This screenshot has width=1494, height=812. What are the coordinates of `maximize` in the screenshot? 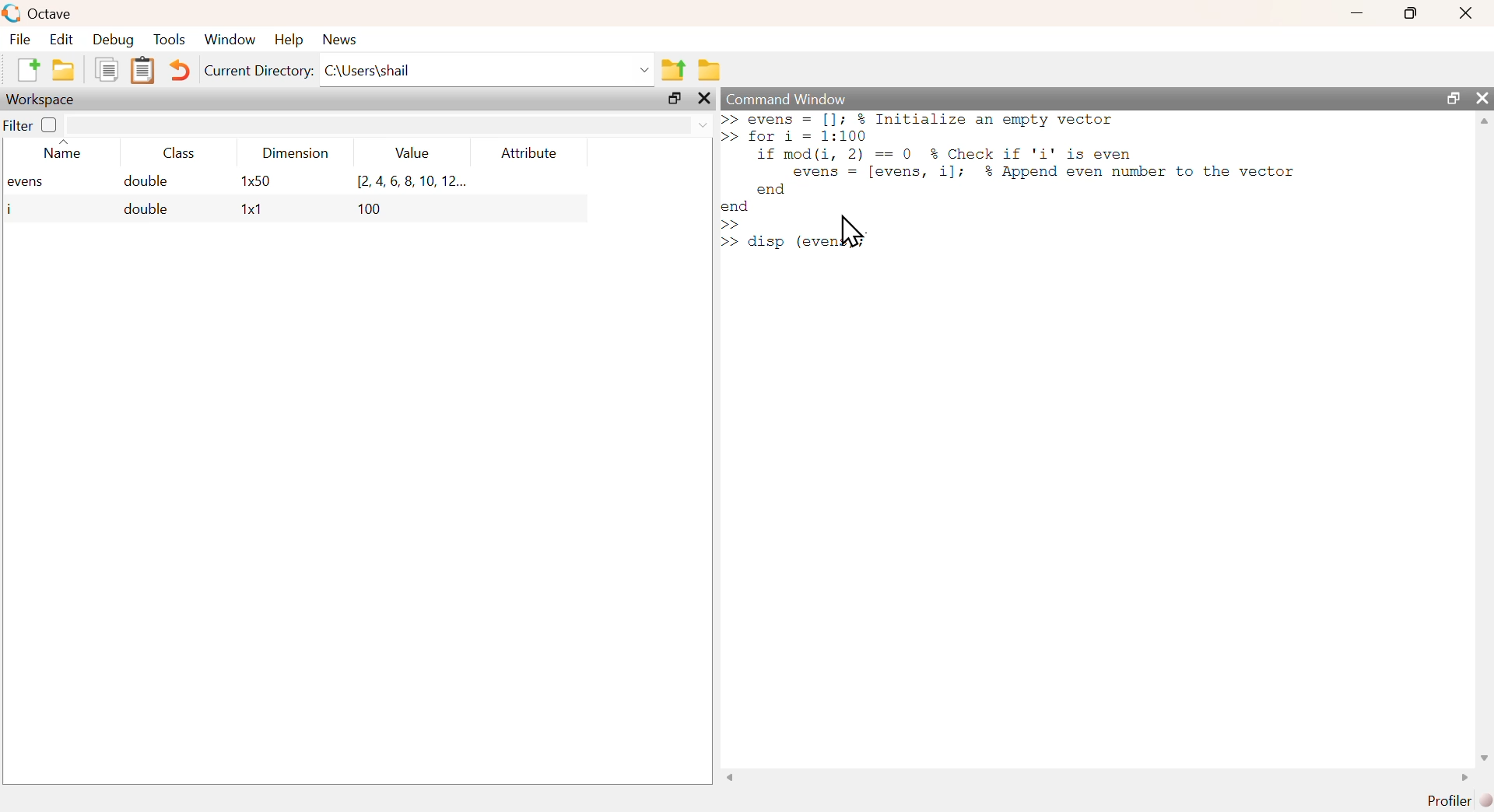 It's located at (1408, 13).